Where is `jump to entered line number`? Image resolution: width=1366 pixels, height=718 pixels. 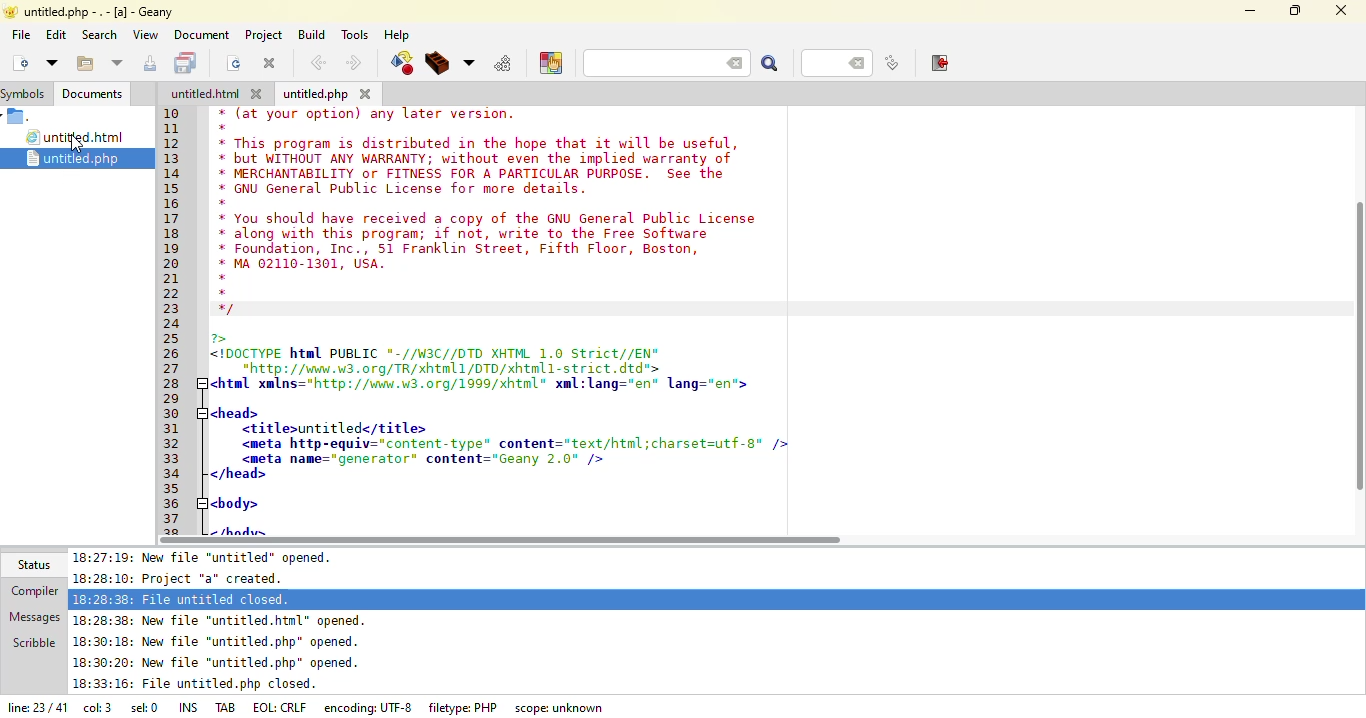 jump to entered line number is located at coordinates (893, 63).